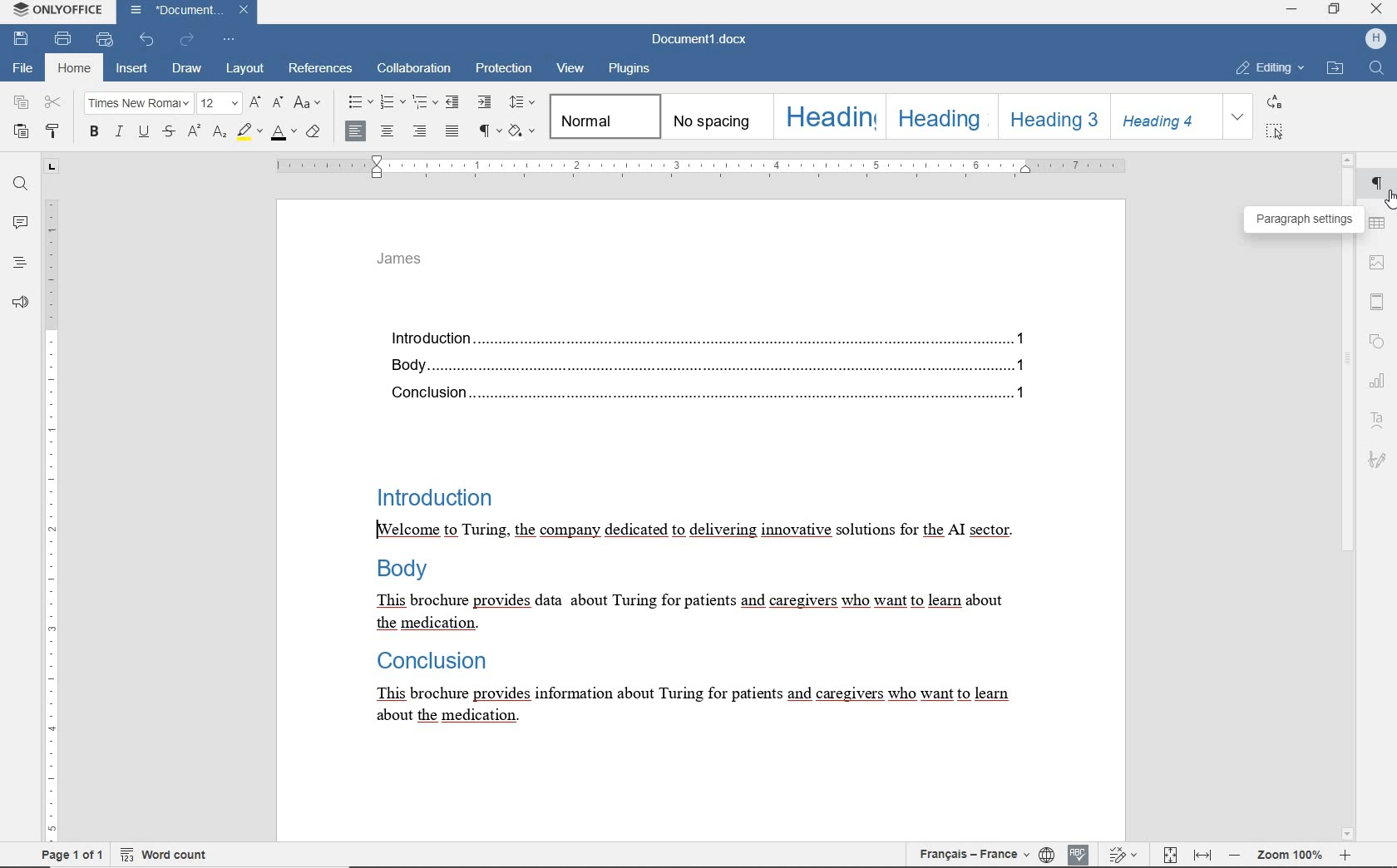 The image size is (1397, 868). Describe the element at coordinates (51, 499) in the screenshot. I see `ruler` at that location.